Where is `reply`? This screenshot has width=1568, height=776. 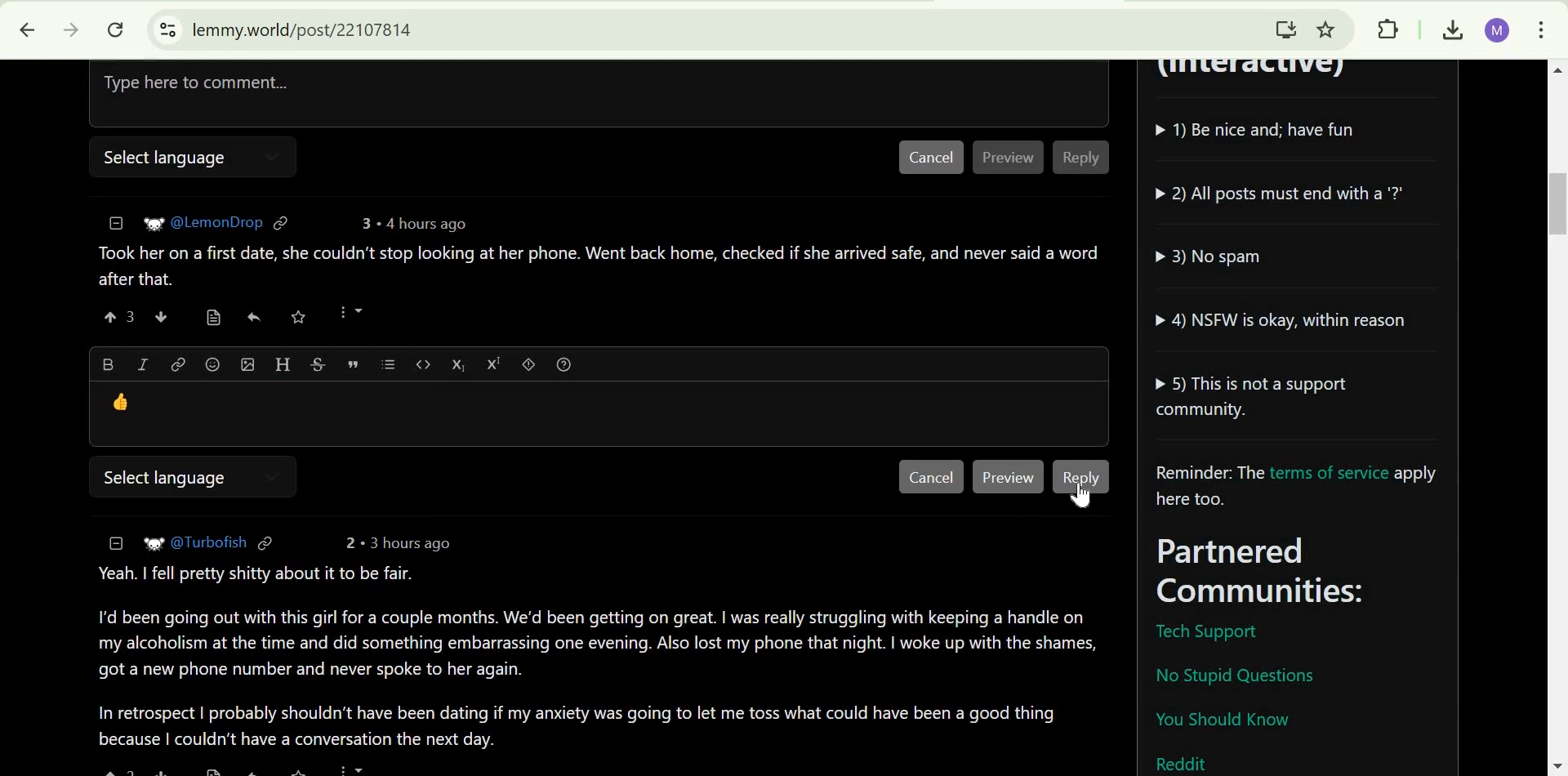 reply is located at coordinates (252, 317).